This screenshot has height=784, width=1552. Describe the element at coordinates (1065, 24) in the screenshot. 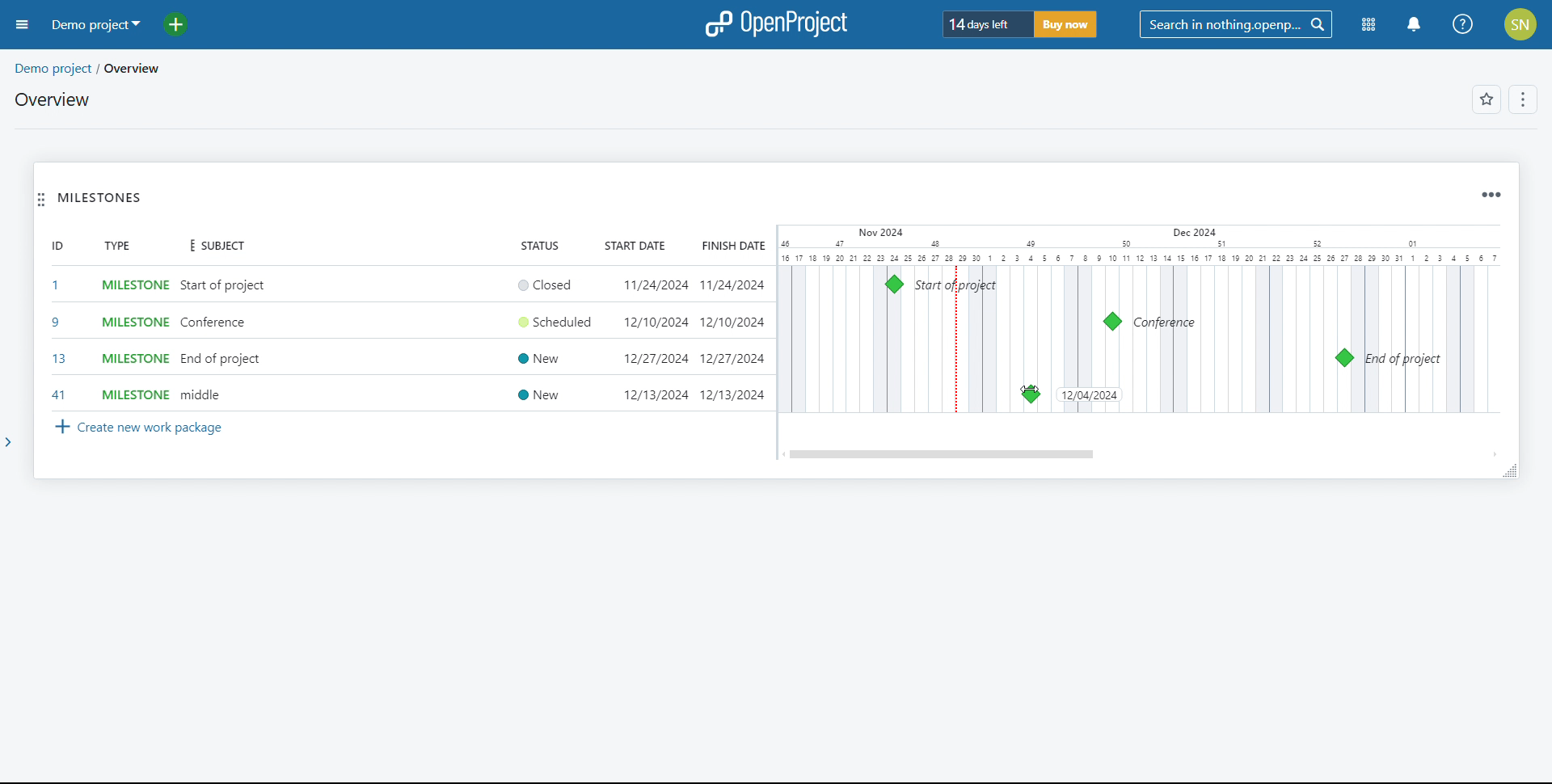

I see `buy now` at that location.